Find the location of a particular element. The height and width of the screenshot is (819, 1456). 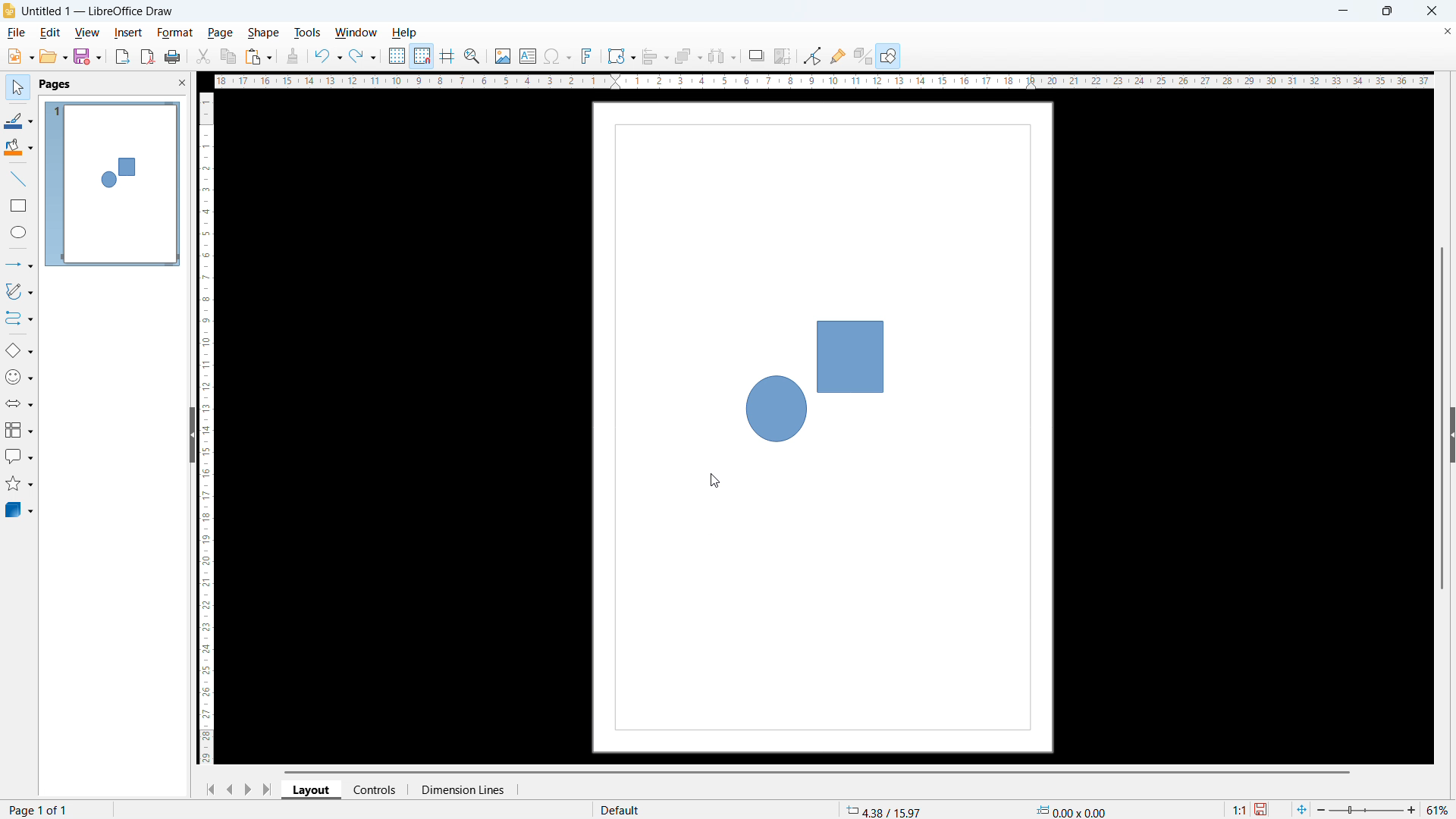

cursor coordinate is located at coordinates (884, 810).